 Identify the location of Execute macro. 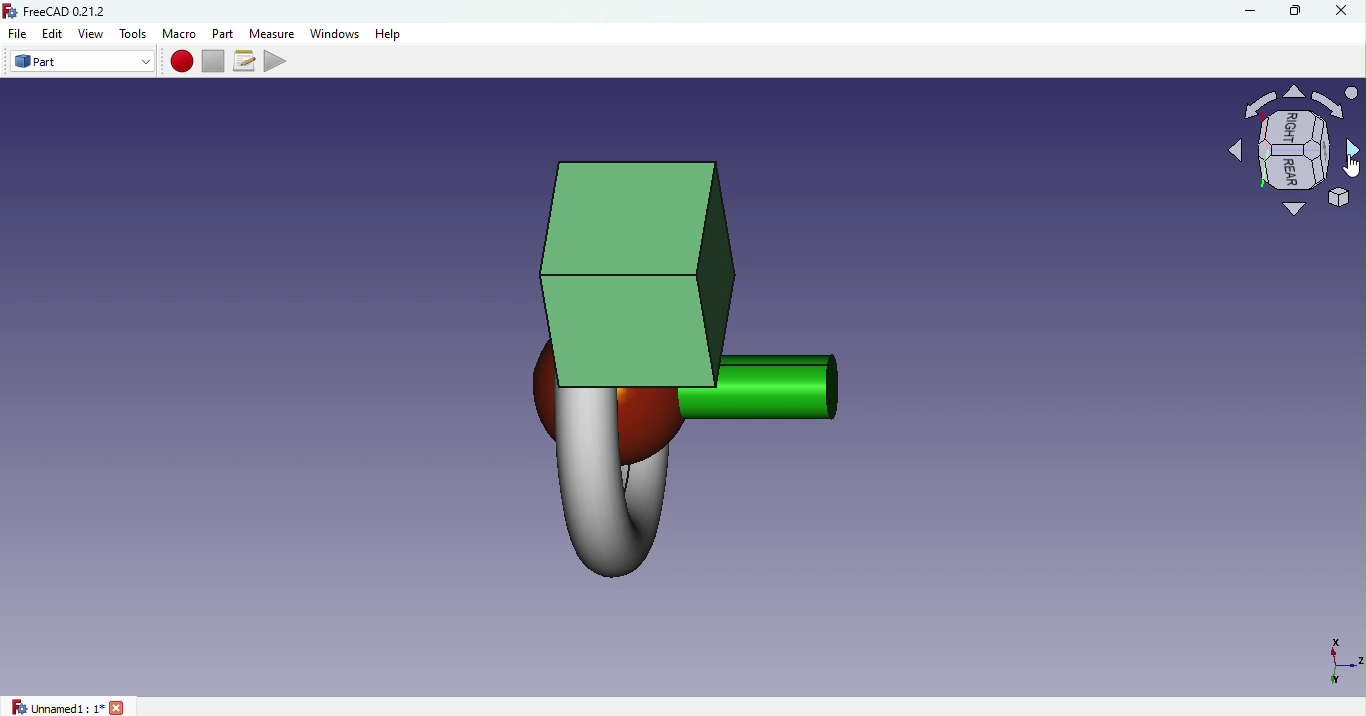
(276, 61).